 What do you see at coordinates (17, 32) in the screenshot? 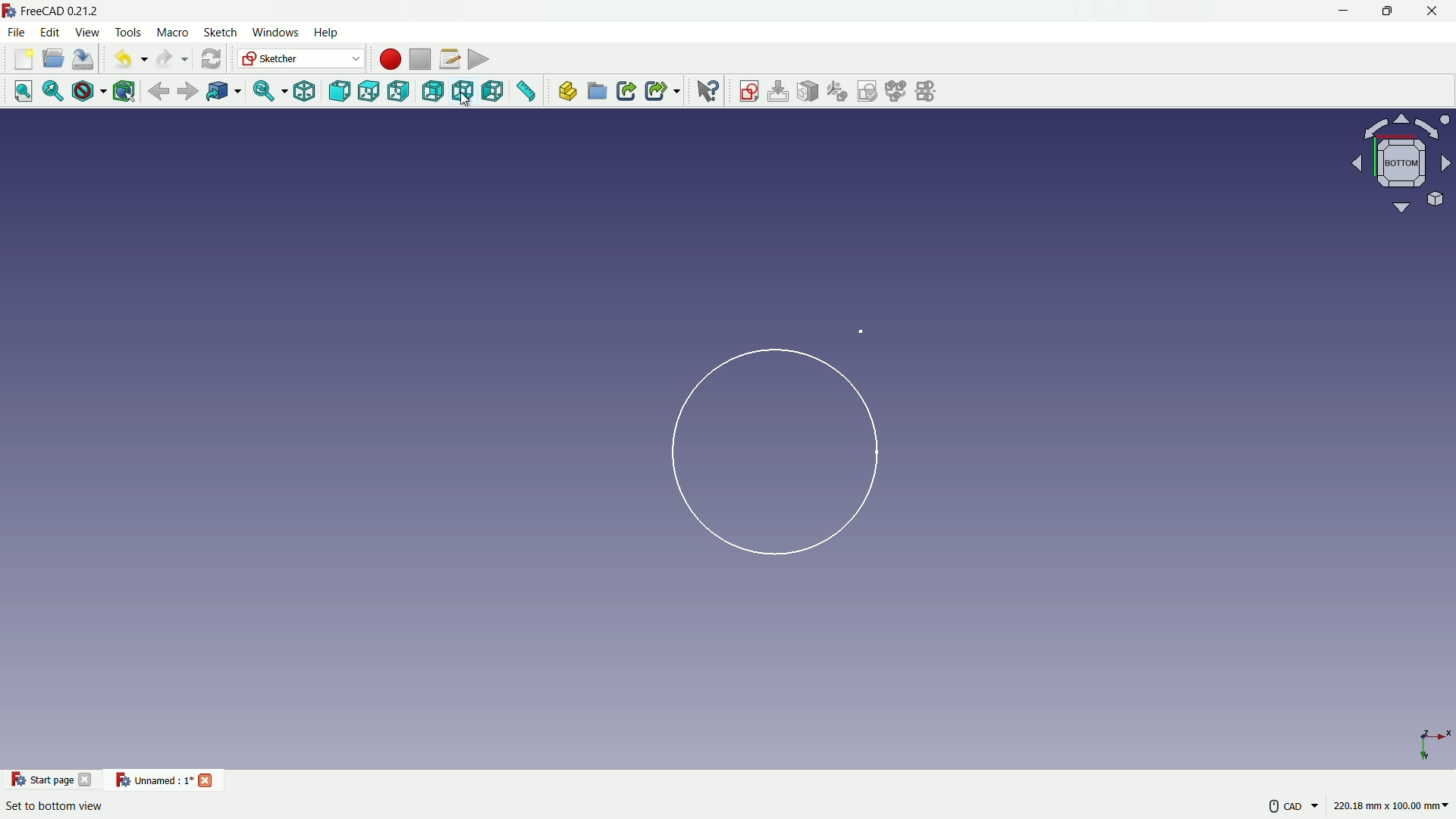
I see `file menu` at bounding box center [17, 32].